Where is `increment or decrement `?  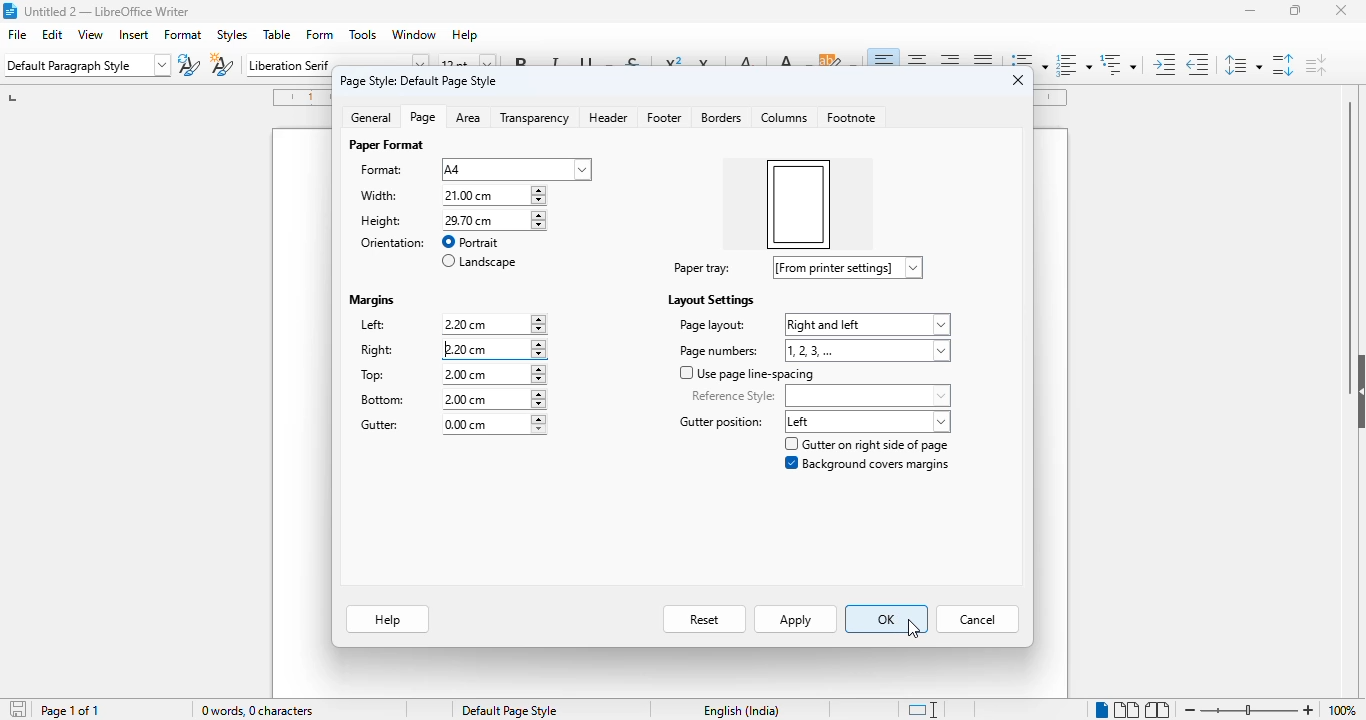
increment or decrement  is located at coordinates (542, 350).